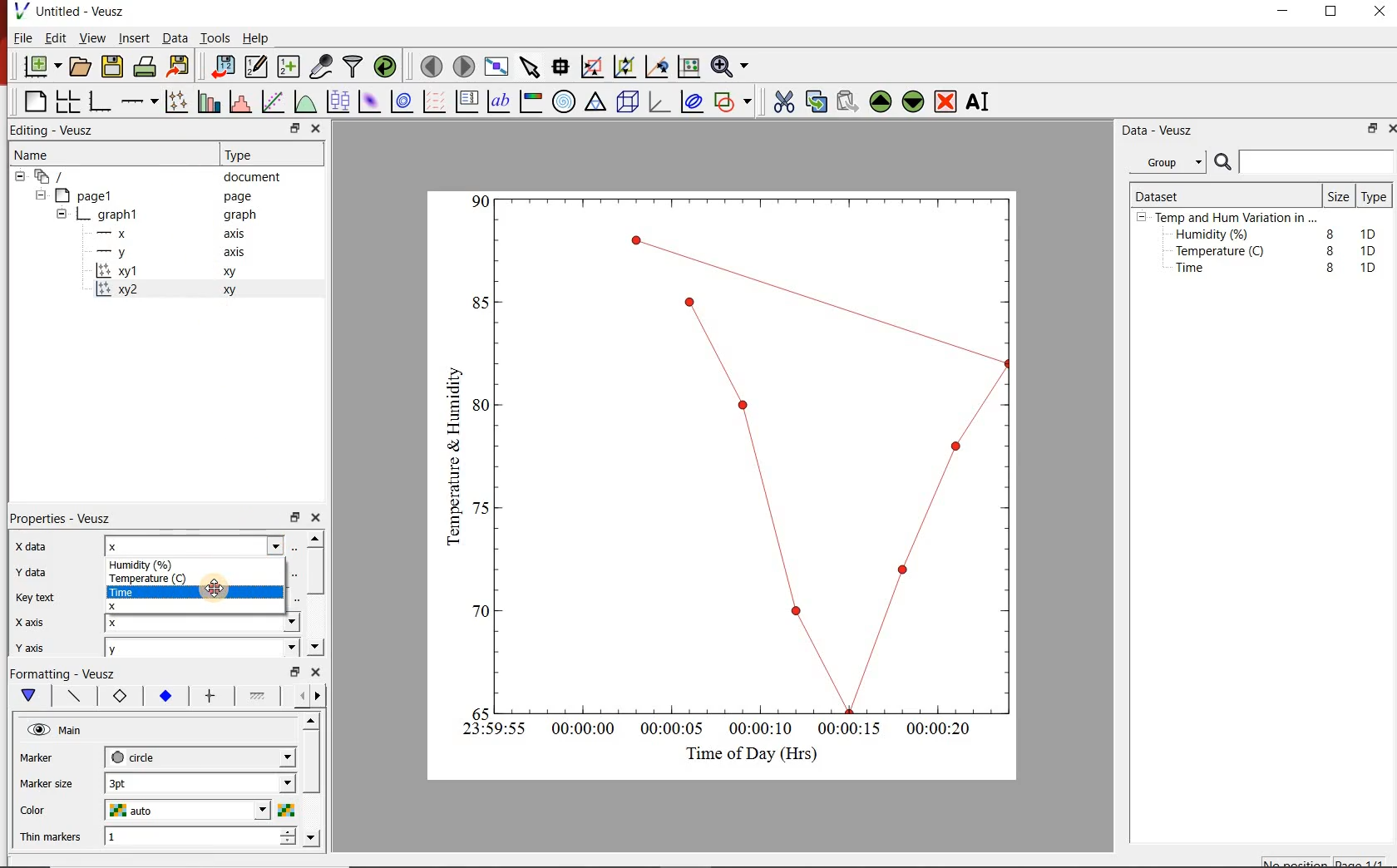 Image resolution: width=1397 pixels, height=868 pixels. What do you see at coordinates (307, 104) in the screenshot?
I see `plot a function` at bounding box center [307, 104].